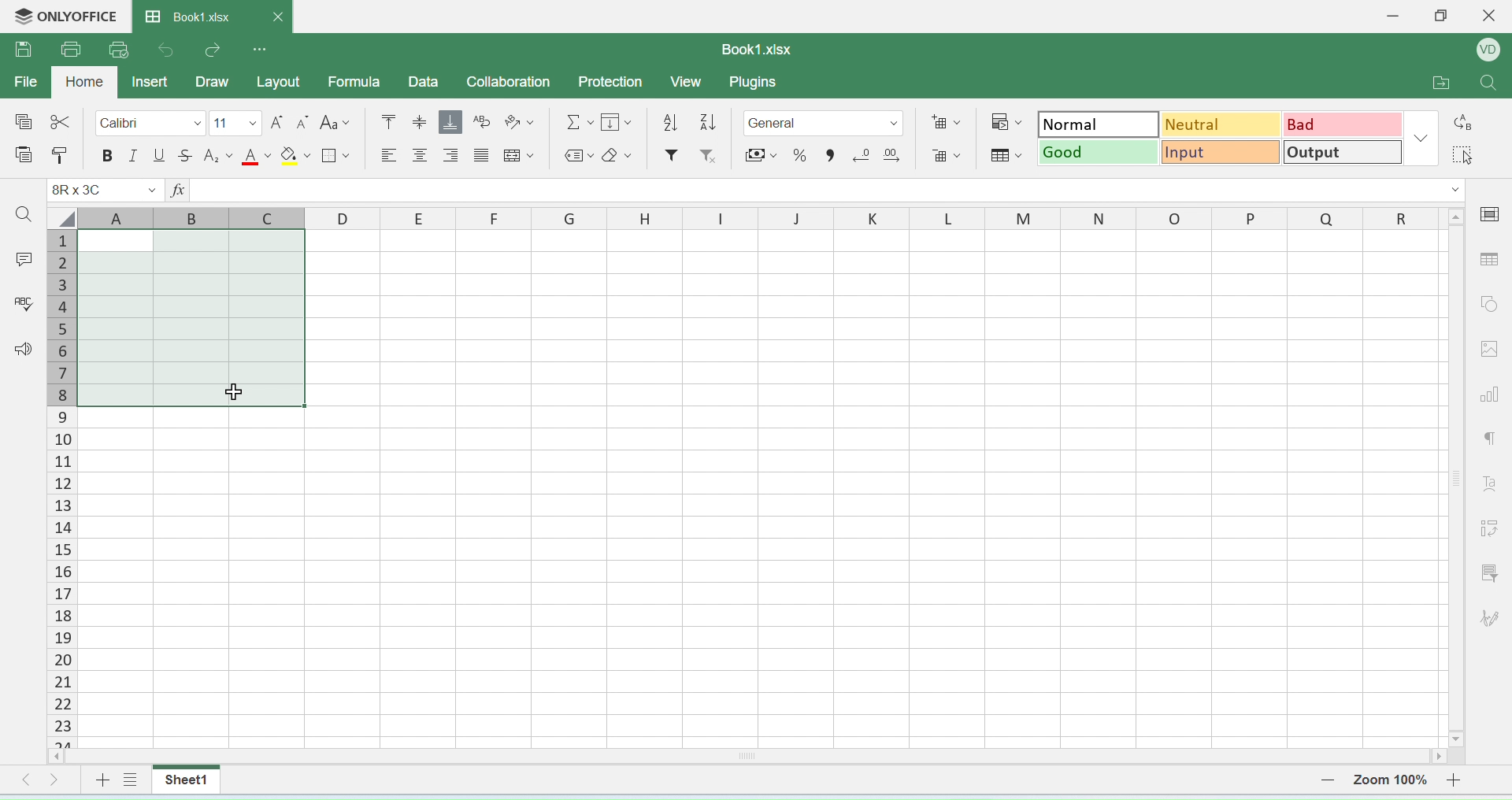  Describe the element at coordinates (26, 157) in the screenshot. I see `paste` at that location.